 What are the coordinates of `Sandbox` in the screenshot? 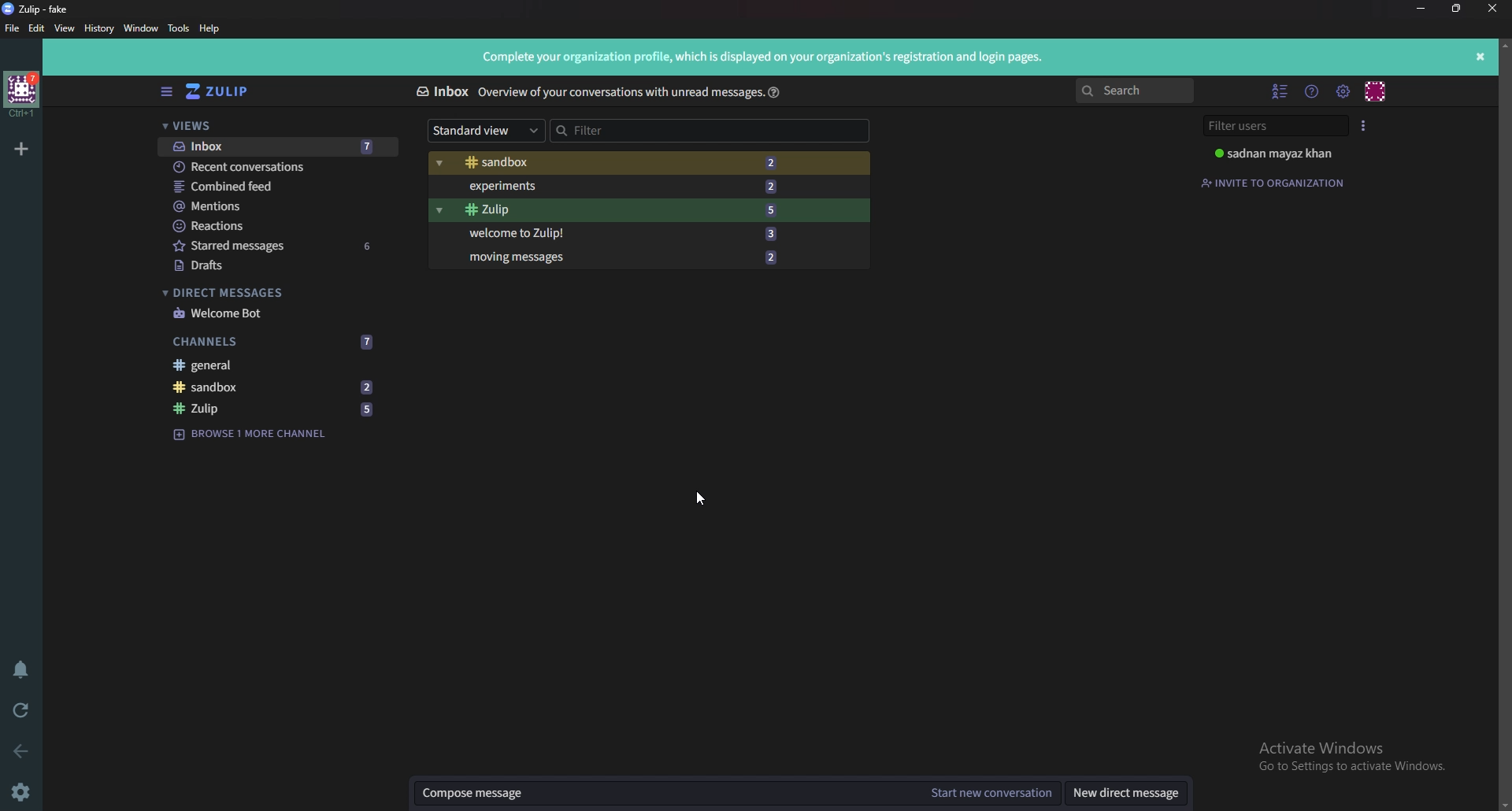 It's located at (626, 163).